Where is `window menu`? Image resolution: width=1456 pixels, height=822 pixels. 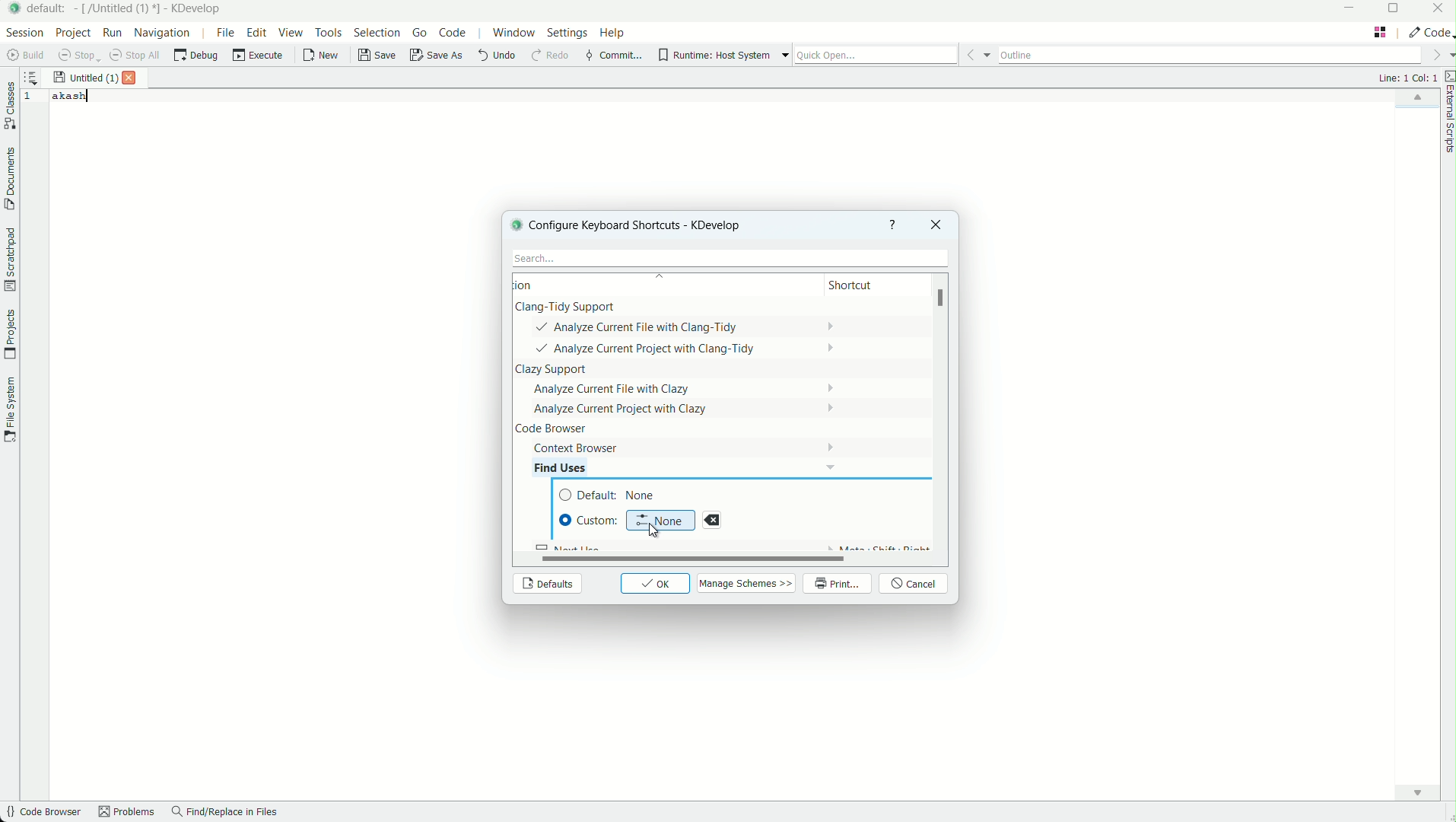
window menu is located at coordinates (513, 35).